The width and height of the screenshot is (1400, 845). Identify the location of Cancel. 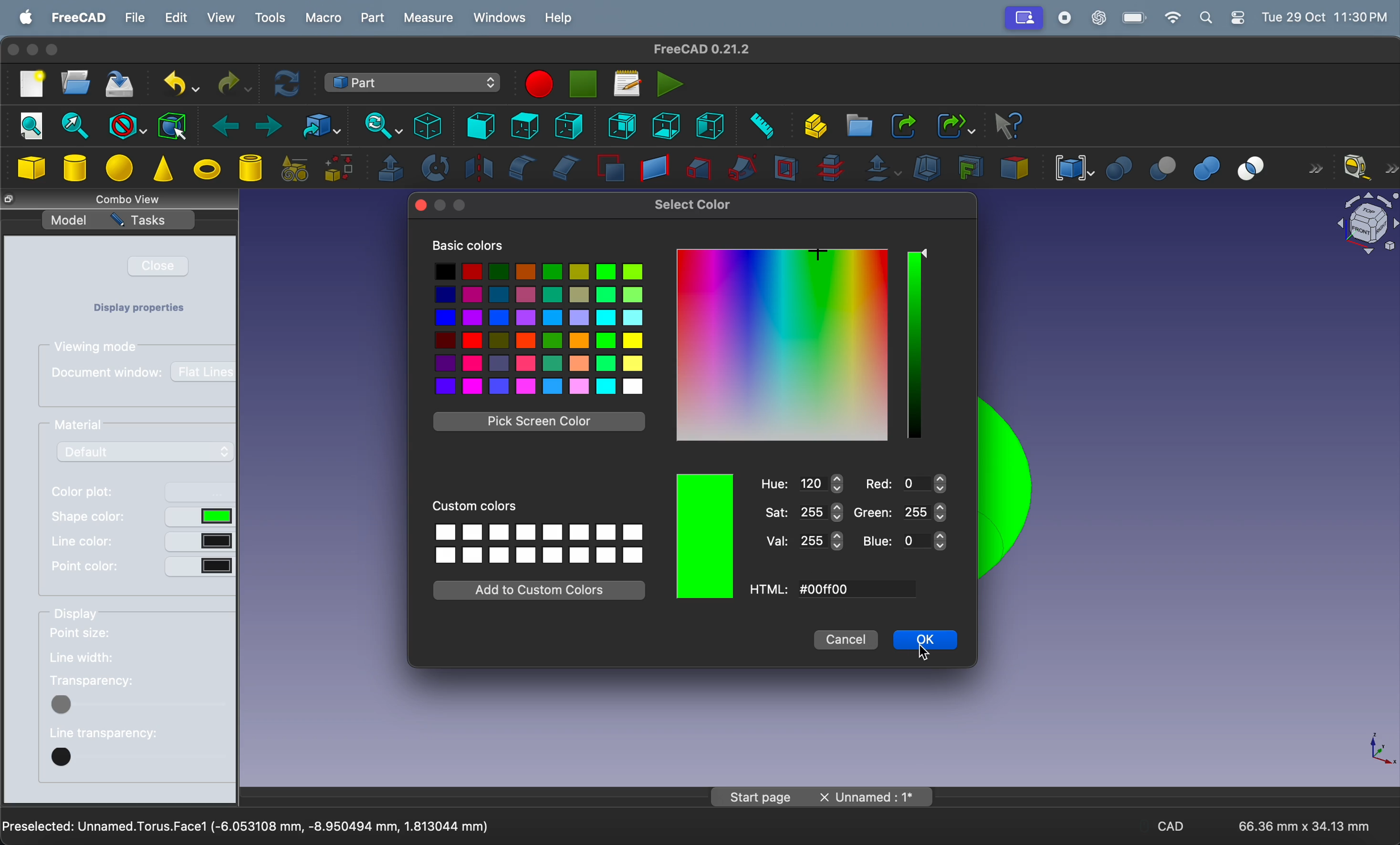
(851, 640).